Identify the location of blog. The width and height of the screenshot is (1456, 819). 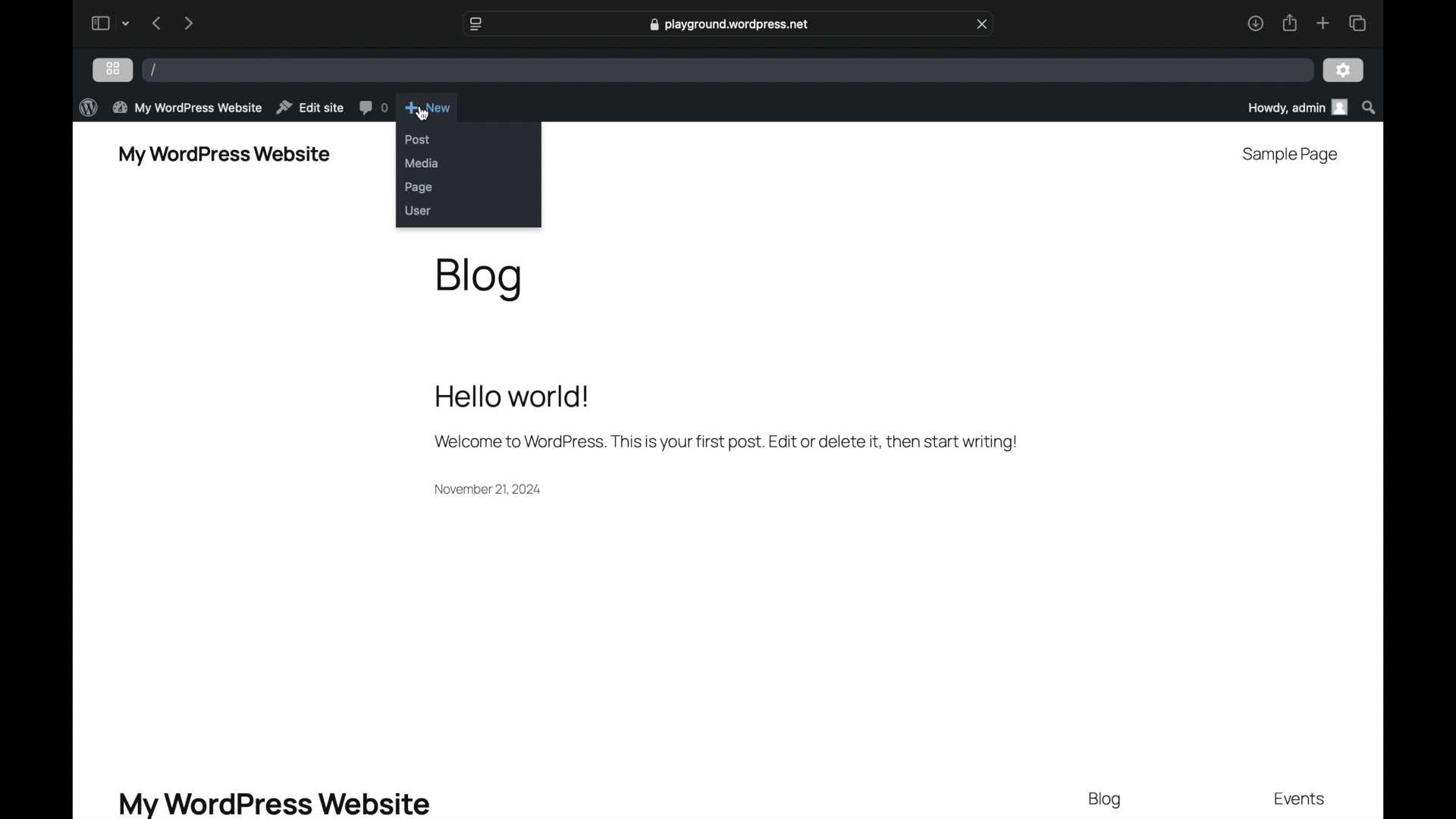
(1106, 800).